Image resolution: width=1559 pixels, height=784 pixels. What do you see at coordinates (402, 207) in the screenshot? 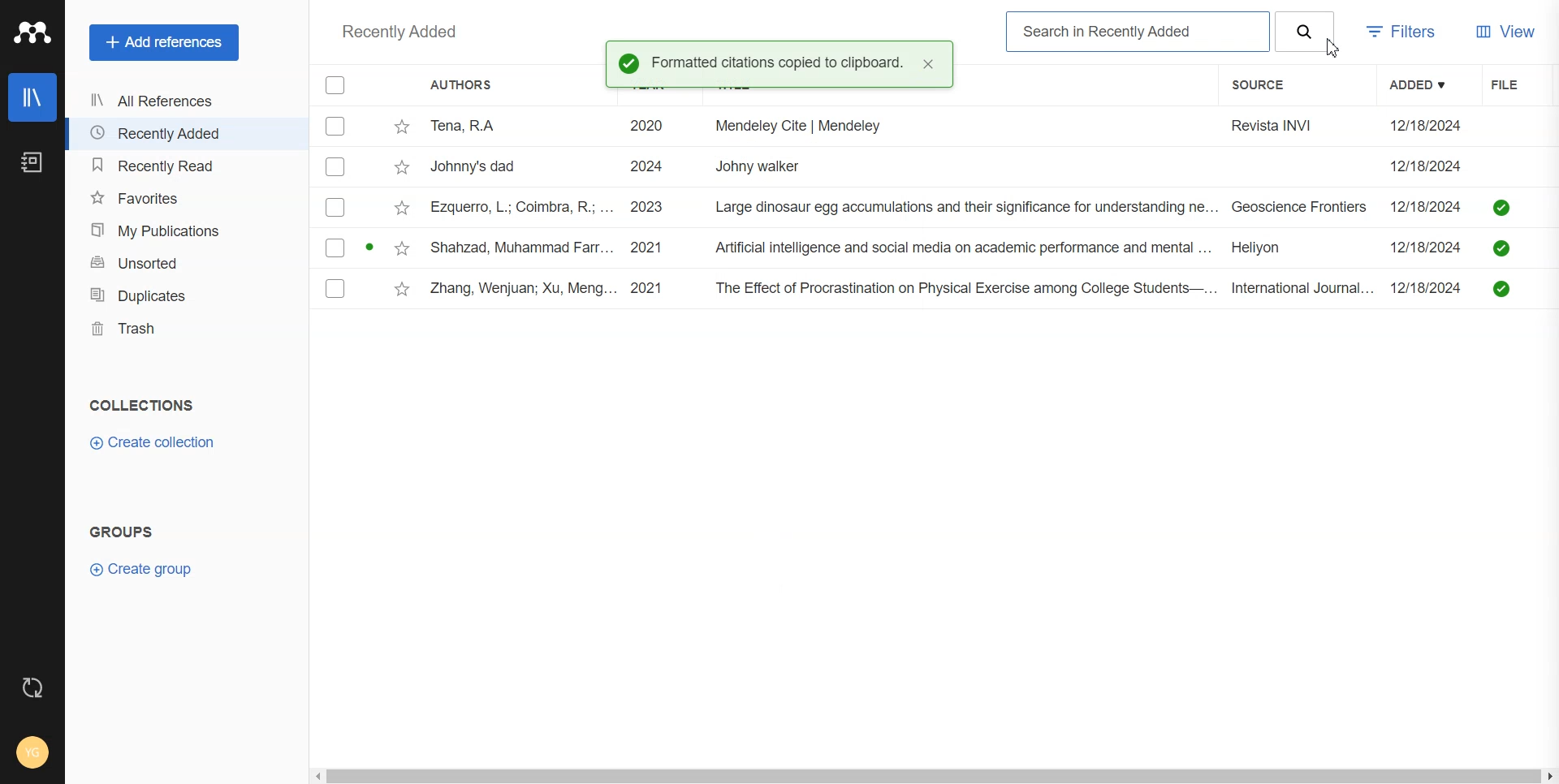
I see `Star` at bounding box center [402, 207].